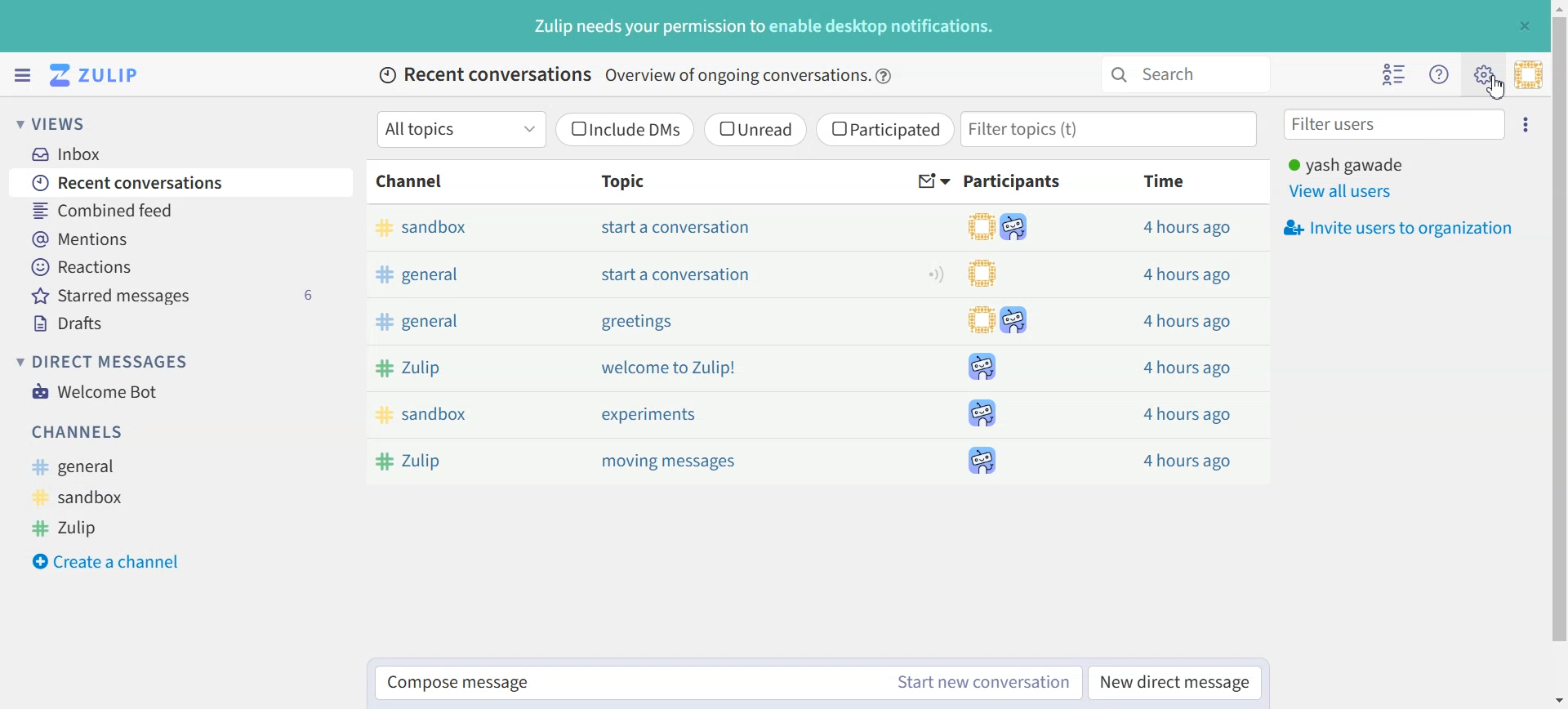 Image resolution: width=1568 pixels, height=709 pixels. What do you see at coordinates (674, 462) in the screenshot?
I see `Moving messages` at bounding box center [674, 462].